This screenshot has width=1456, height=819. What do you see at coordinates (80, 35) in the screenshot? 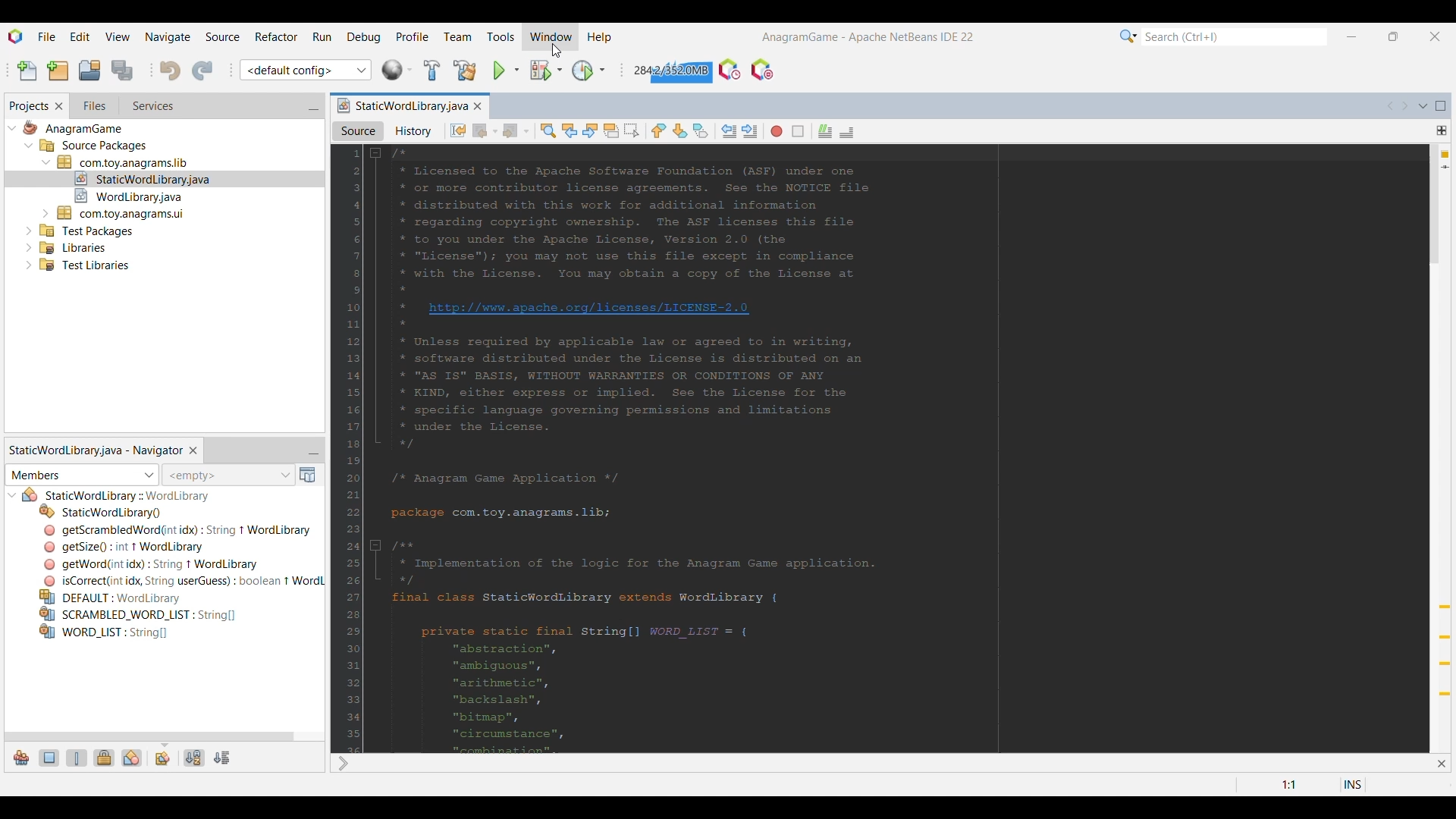
I see `Edit menu` at bounding box center [80, 35].